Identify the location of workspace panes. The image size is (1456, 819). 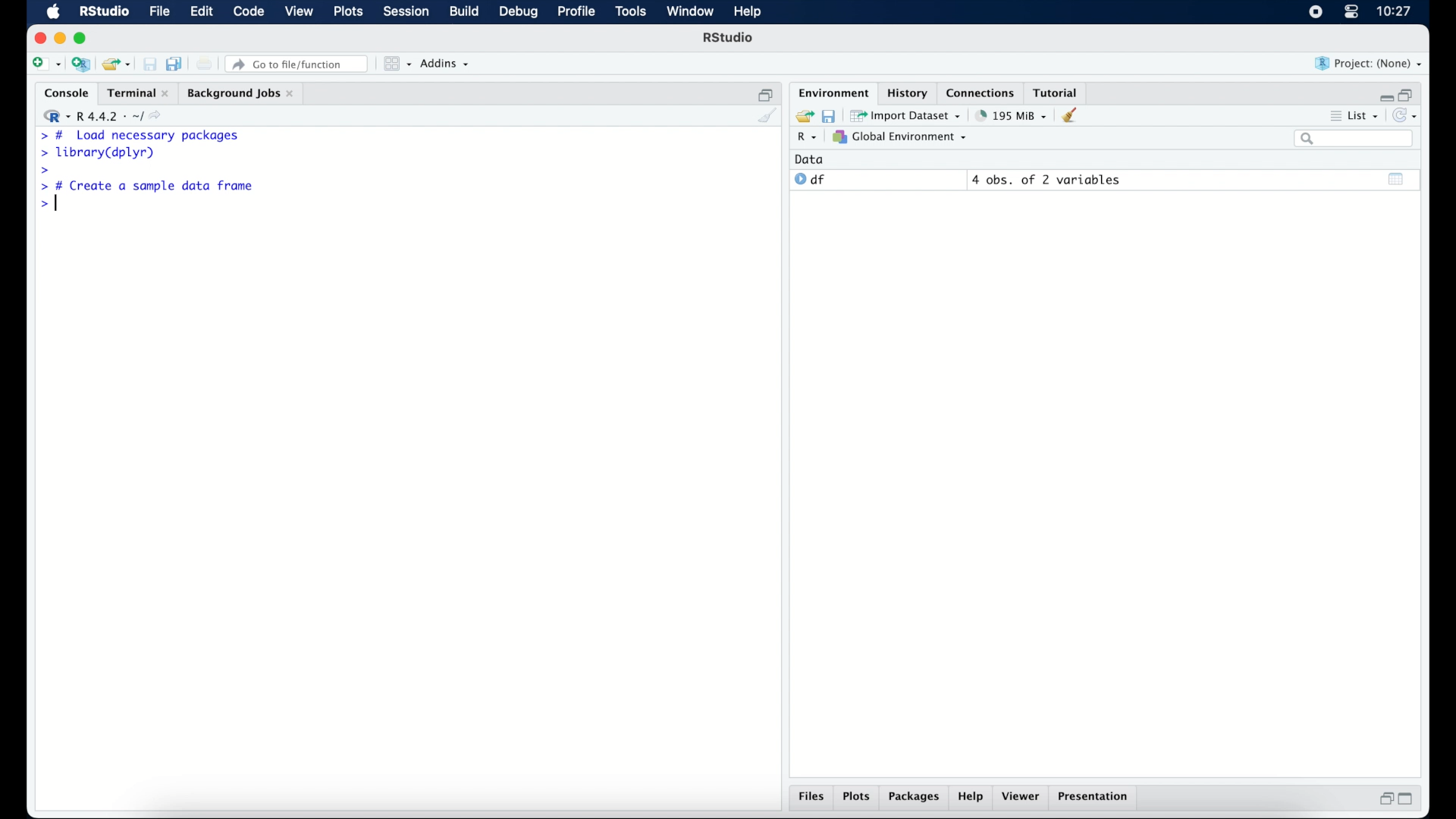
(396, 64).